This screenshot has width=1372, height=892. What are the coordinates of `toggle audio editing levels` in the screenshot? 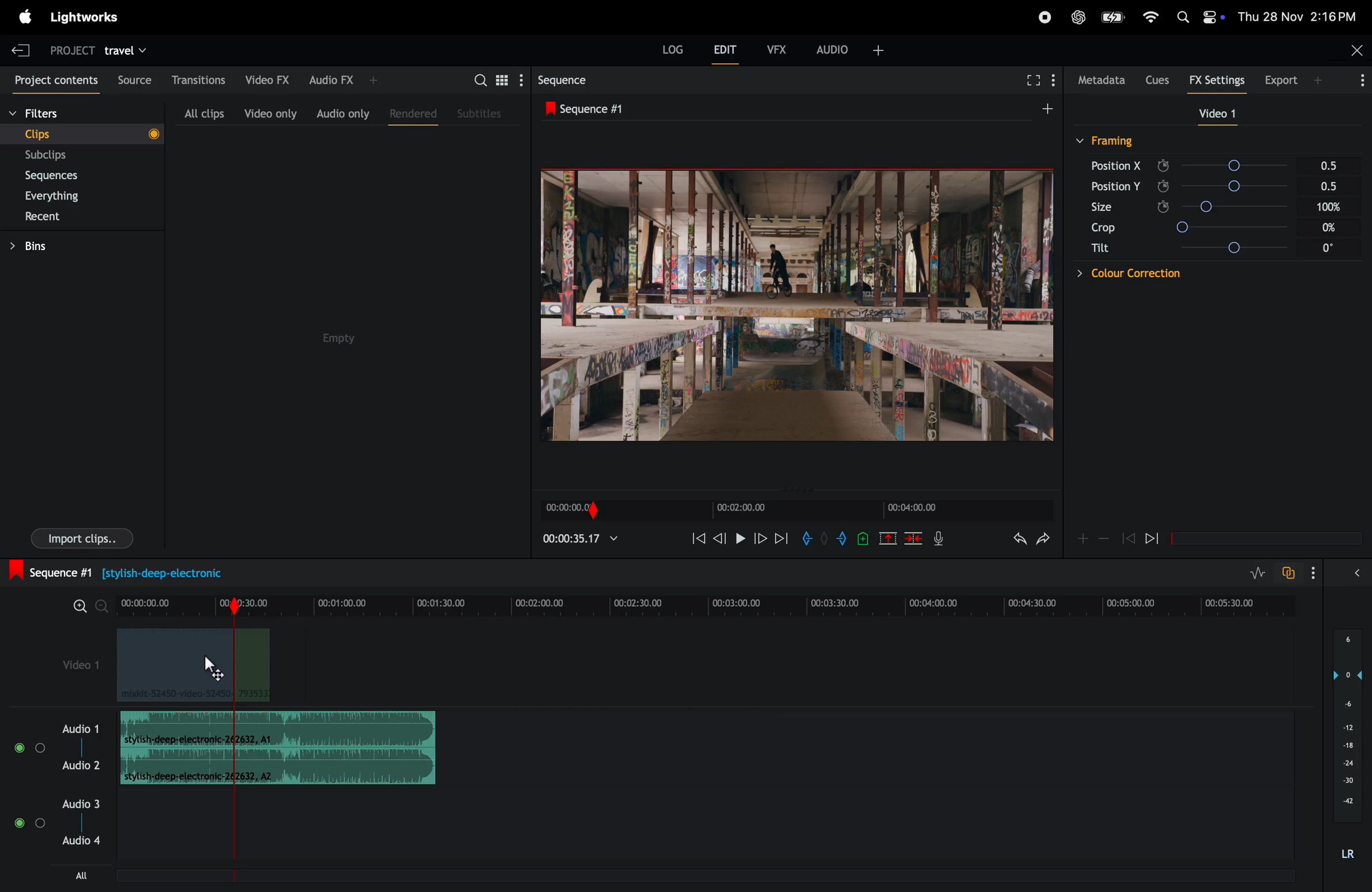 It's located at (1258, 573).